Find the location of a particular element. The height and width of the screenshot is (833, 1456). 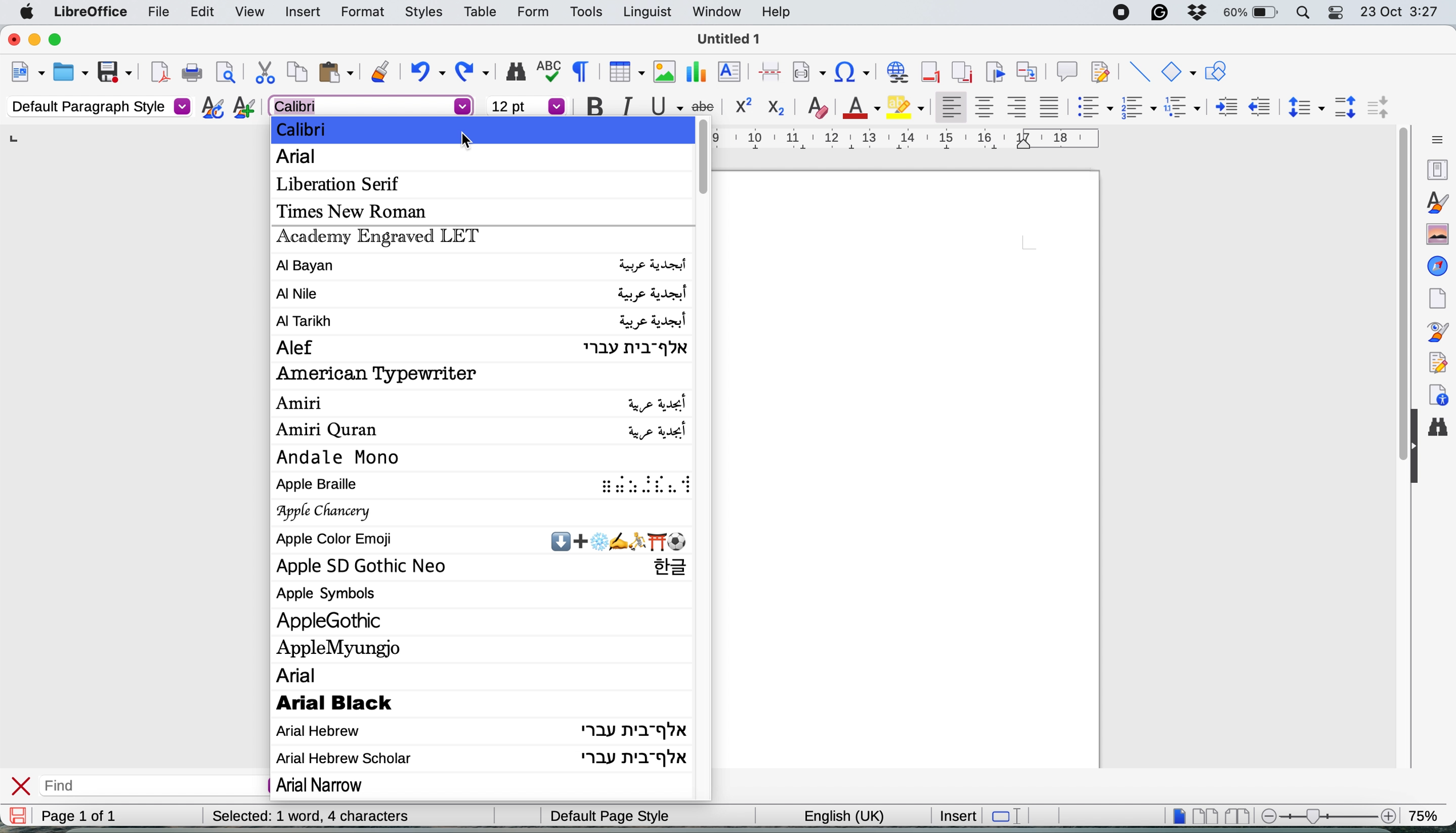

toggle unordered list is located at coordinates (1092, 110).